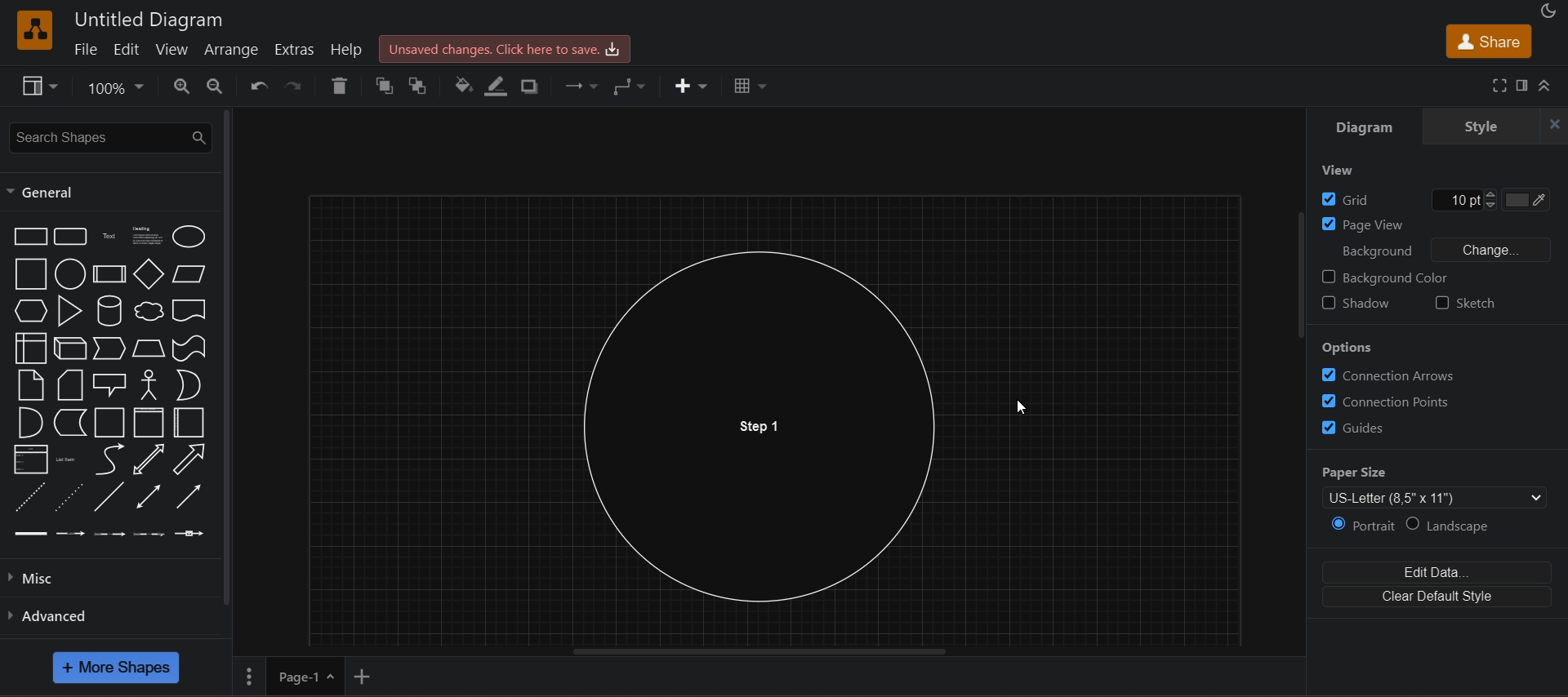 The height and width of the screenshot is (697, 1568). Describe the element at coordinates (1481, 532) in the screenshot. I see `landscape` at that location.